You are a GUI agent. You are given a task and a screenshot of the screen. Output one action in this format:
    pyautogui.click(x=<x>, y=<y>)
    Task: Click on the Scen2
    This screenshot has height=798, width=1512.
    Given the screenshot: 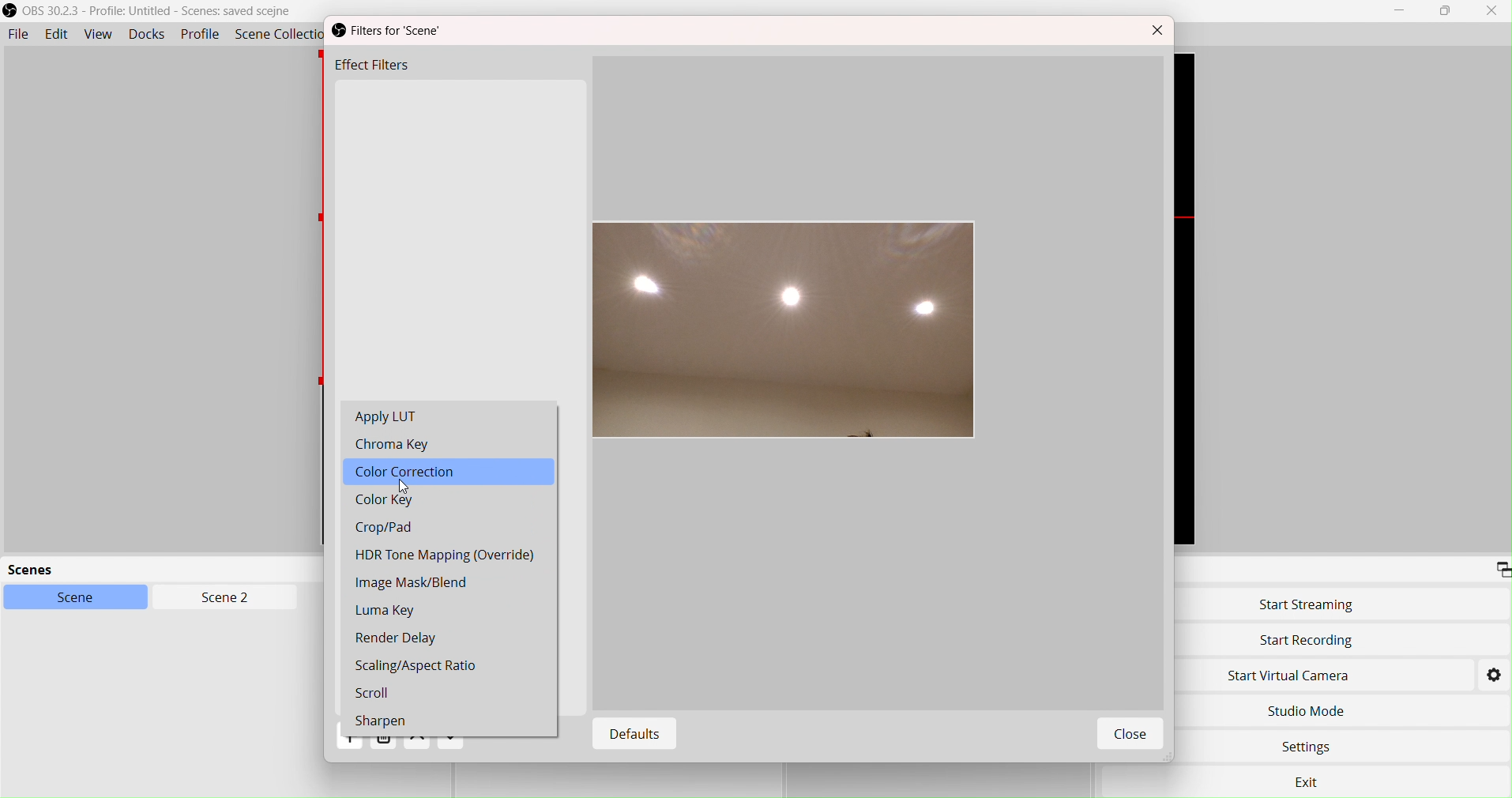 What is the action you would take?
    pyautogui.click(x=222, y=599)
    